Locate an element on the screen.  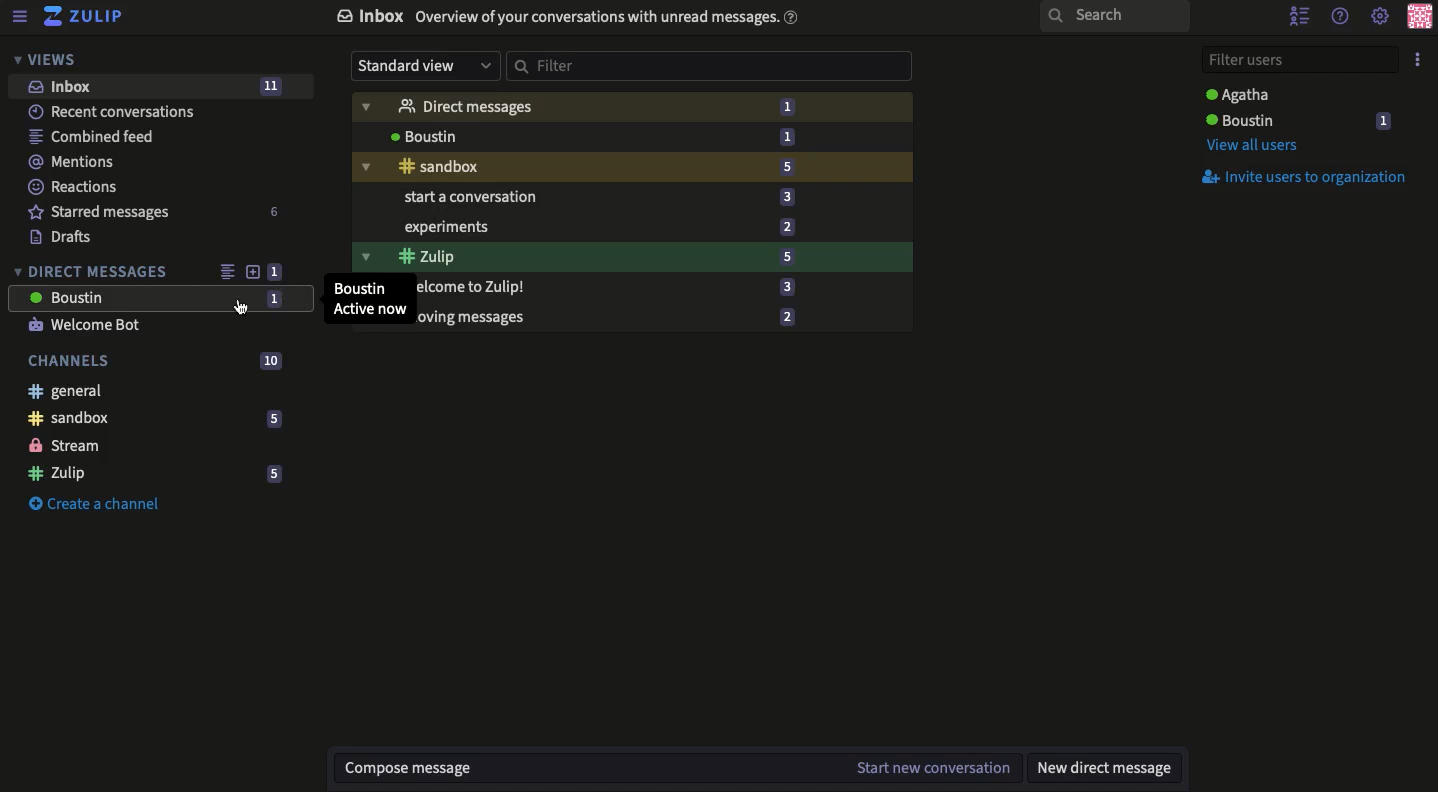
DM is located at coordinates (628, 103).